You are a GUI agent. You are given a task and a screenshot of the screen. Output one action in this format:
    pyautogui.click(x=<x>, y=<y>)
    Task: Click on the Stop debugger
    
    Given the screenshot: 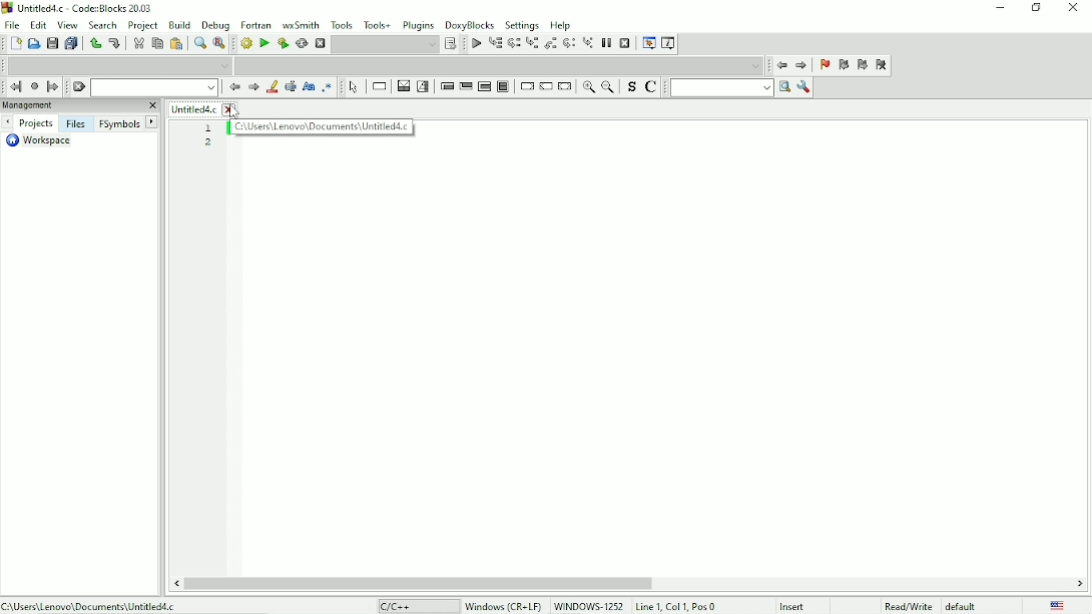 What is the action you would take?
    pyautogui.click(x=626, y=43)
    